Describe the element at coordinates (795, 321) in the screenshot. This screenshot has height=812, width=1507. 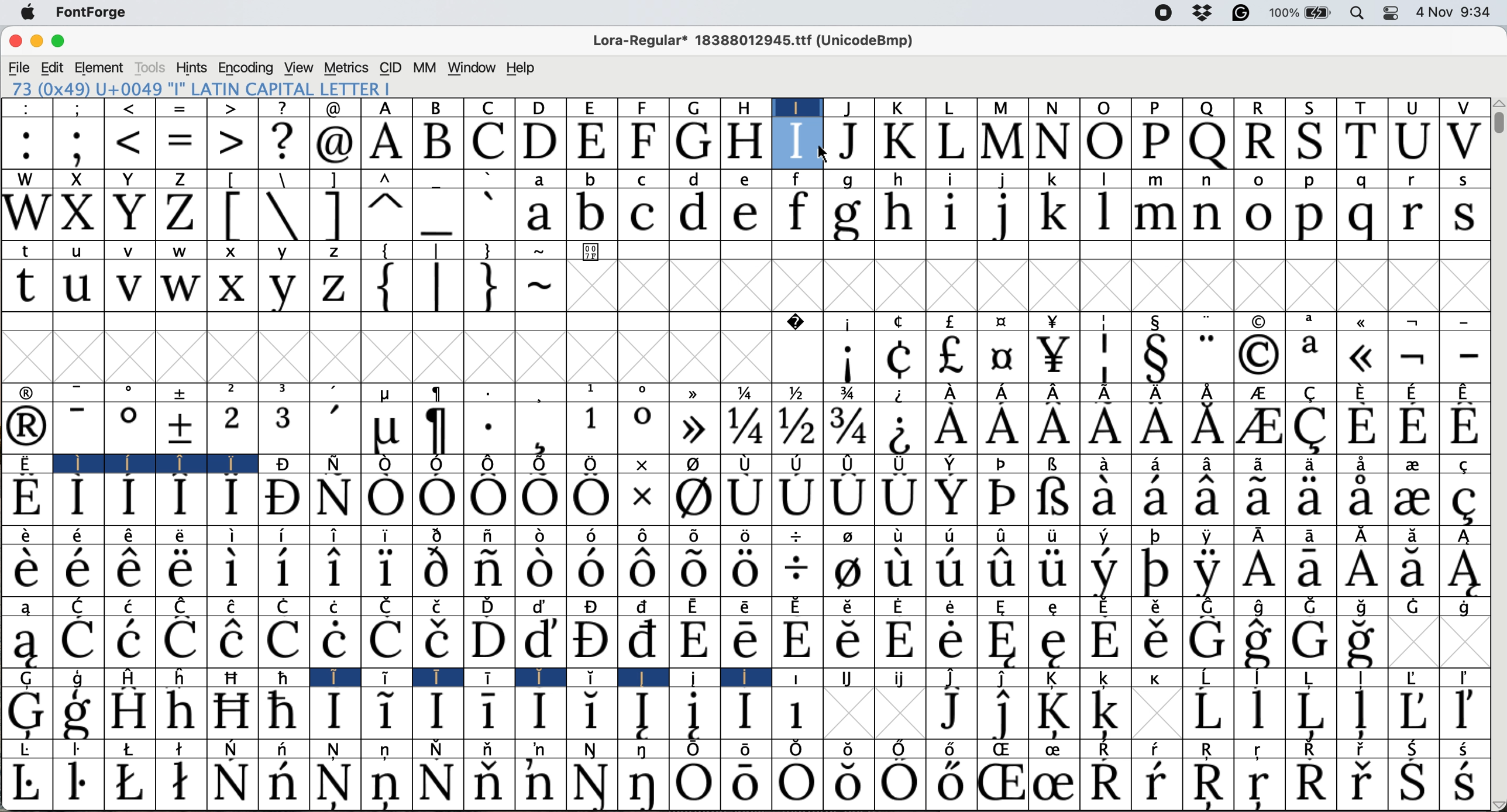
I see `symbol` at that location.